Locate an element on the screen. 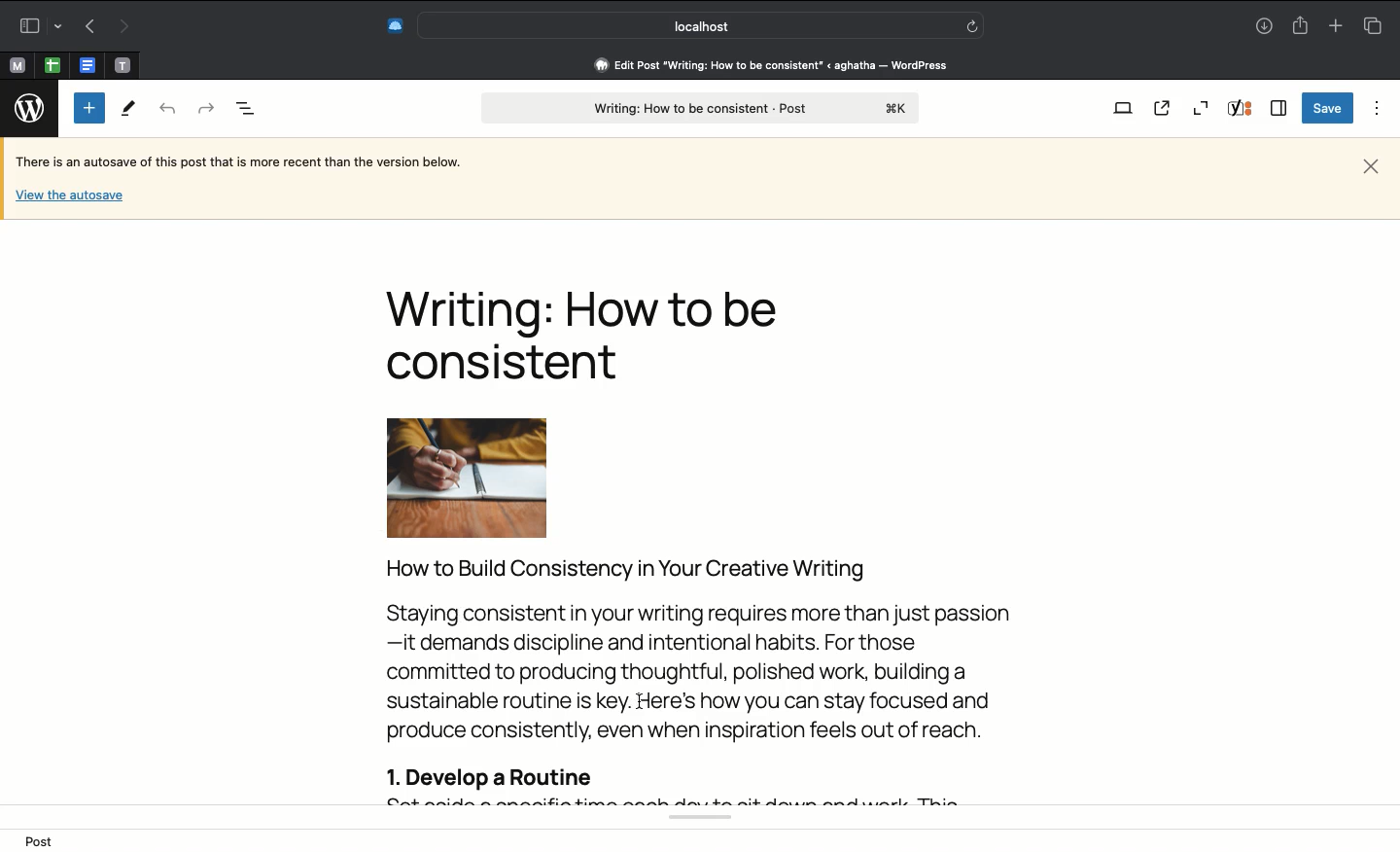 The width and height of the screenshot is (1400, 852). Yoast is located at coordinates (1242, 110).